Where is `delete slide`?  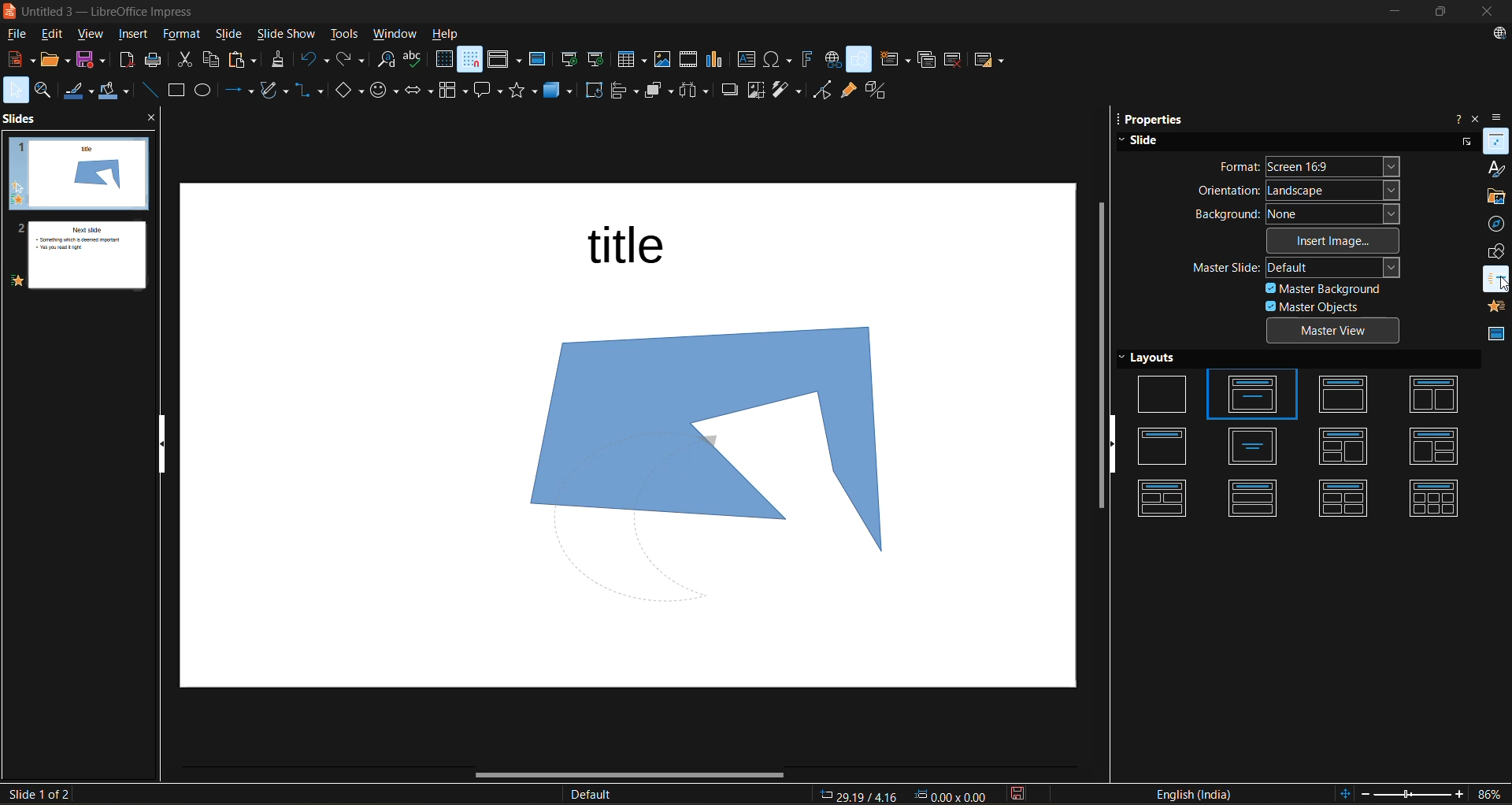 delete slide is located at coordinates (954, 59).